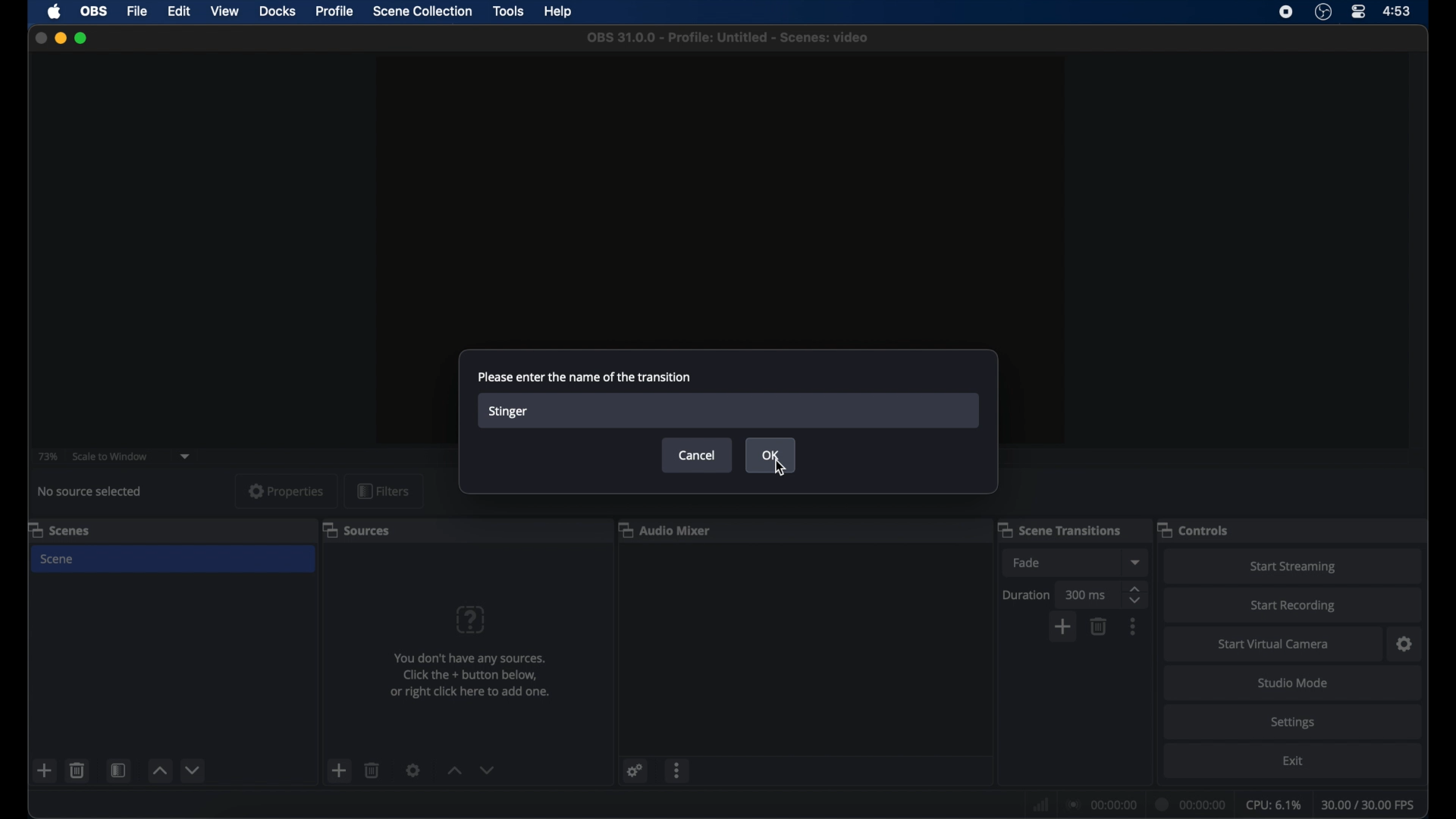 This screenshot has height=819, width=1456. I want to click on cpu, so click(1272, 804).